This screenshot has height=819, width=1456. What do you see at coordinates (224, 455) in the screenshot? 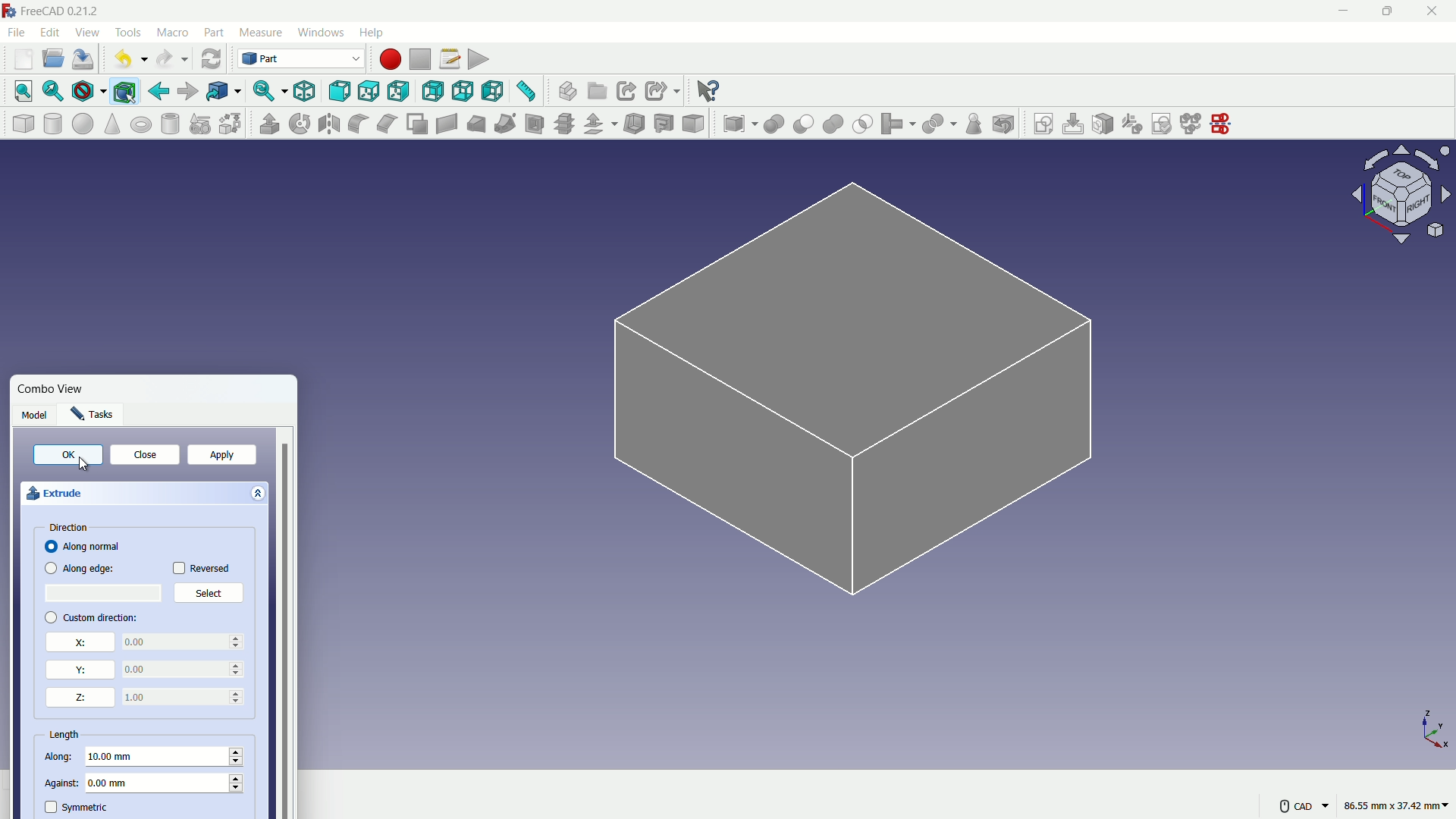
I see `apply` at bounding box center [224, 455].